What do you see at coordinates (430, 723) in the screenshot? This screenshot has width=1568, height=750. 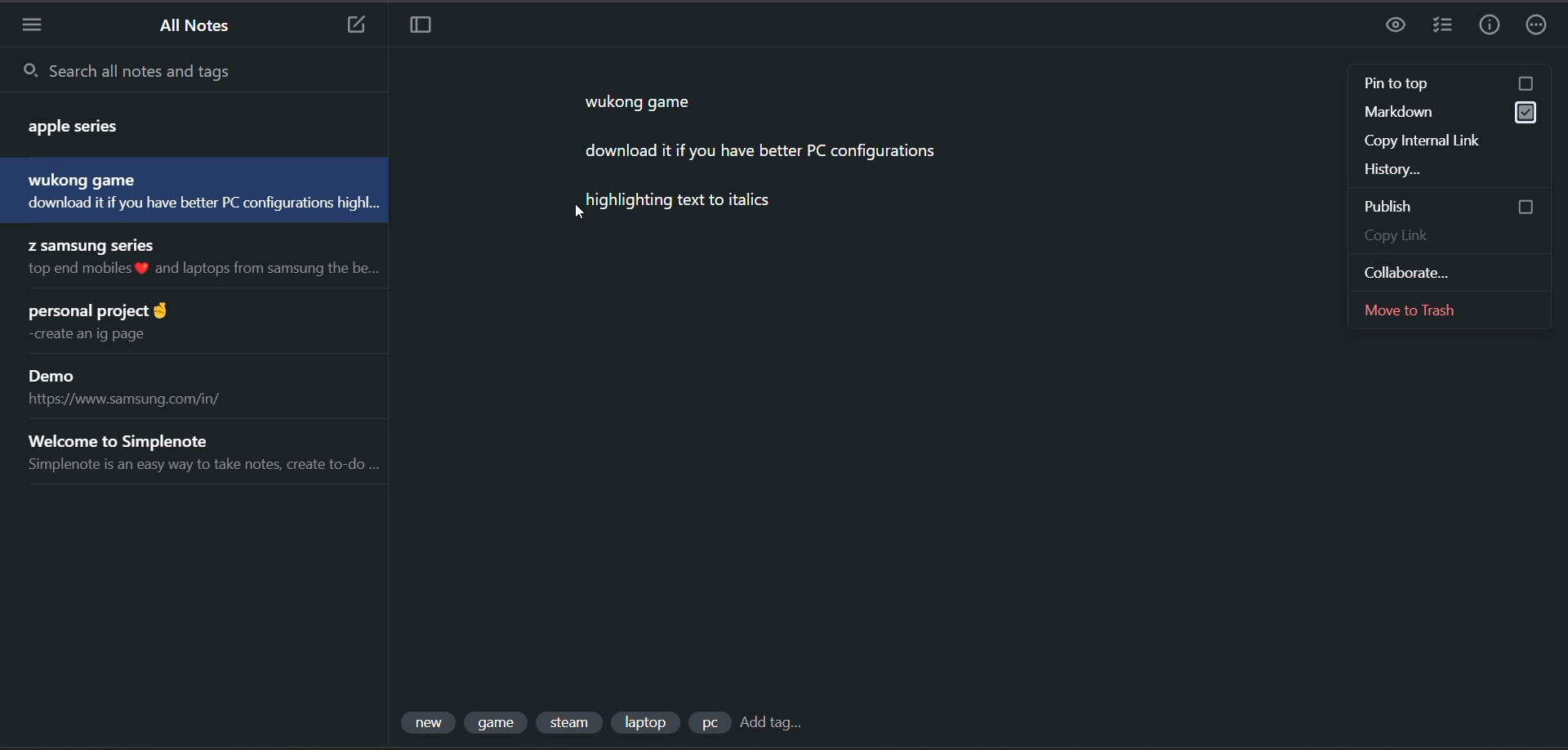 I see `tag 1` at bounding box center [430, 723].